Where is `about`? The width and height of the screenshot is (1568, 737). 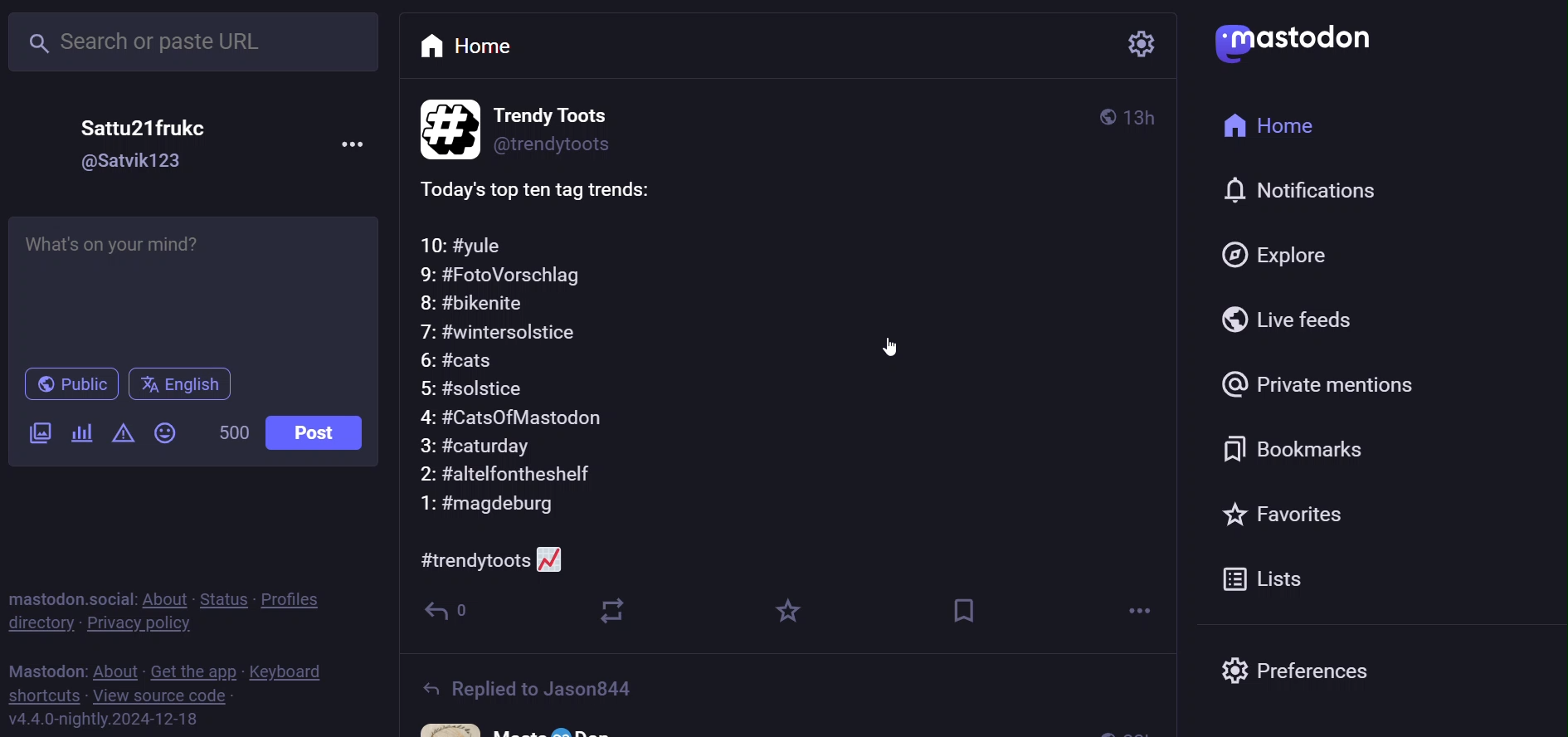 about is located at coordinates (163, 595).